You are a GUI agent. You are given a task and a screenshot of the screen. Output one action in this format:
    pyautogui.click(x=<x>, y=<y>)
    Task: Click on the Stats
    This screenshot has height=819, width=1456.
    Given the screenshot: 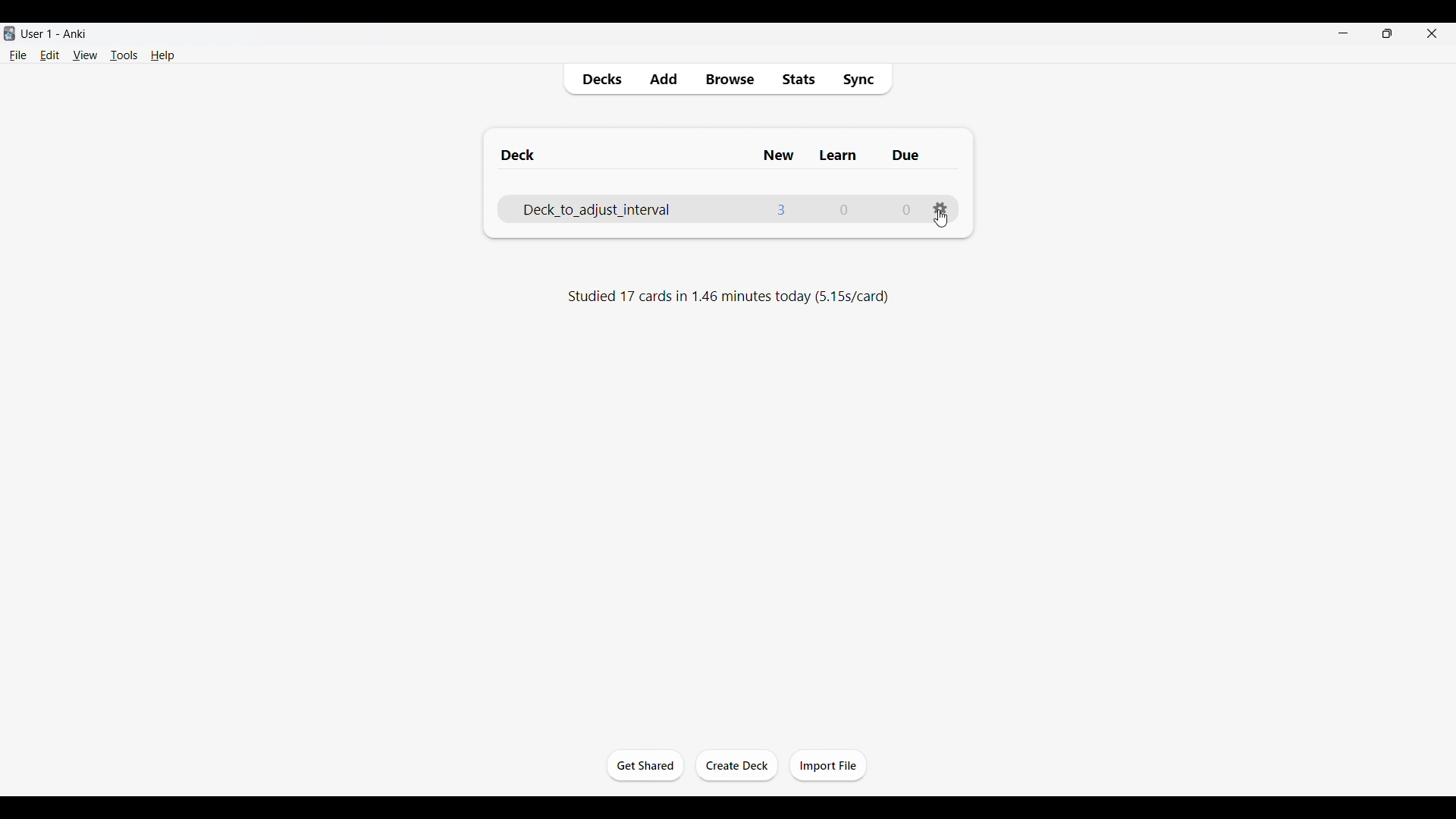 What is the action you would take?
    pyautogui.click(x=799, y=80)
    